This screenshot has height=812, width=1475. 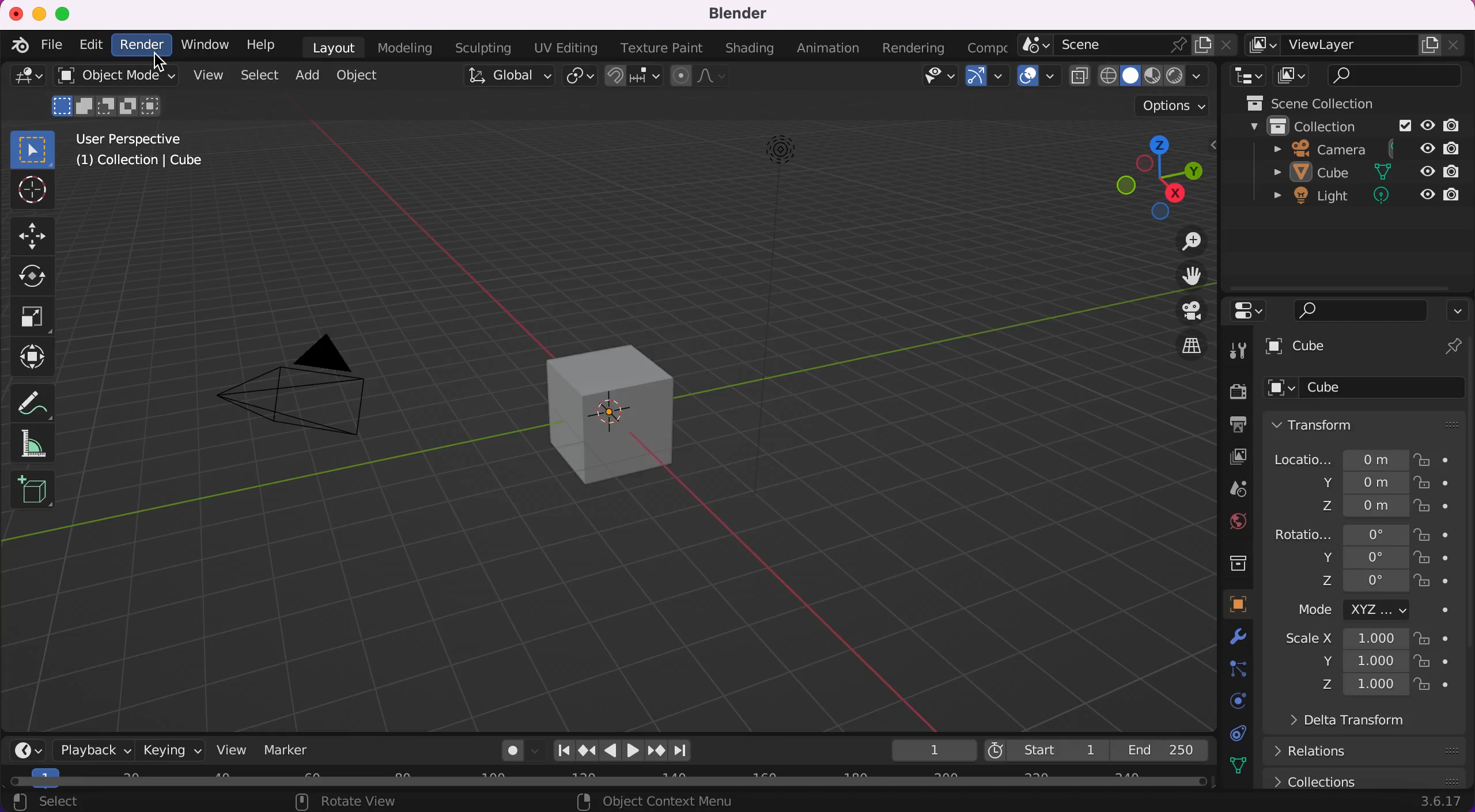 What do you see at coordinates (631, 77) in the screenshot?
I see `snapping` at bounding box center [631, 77].